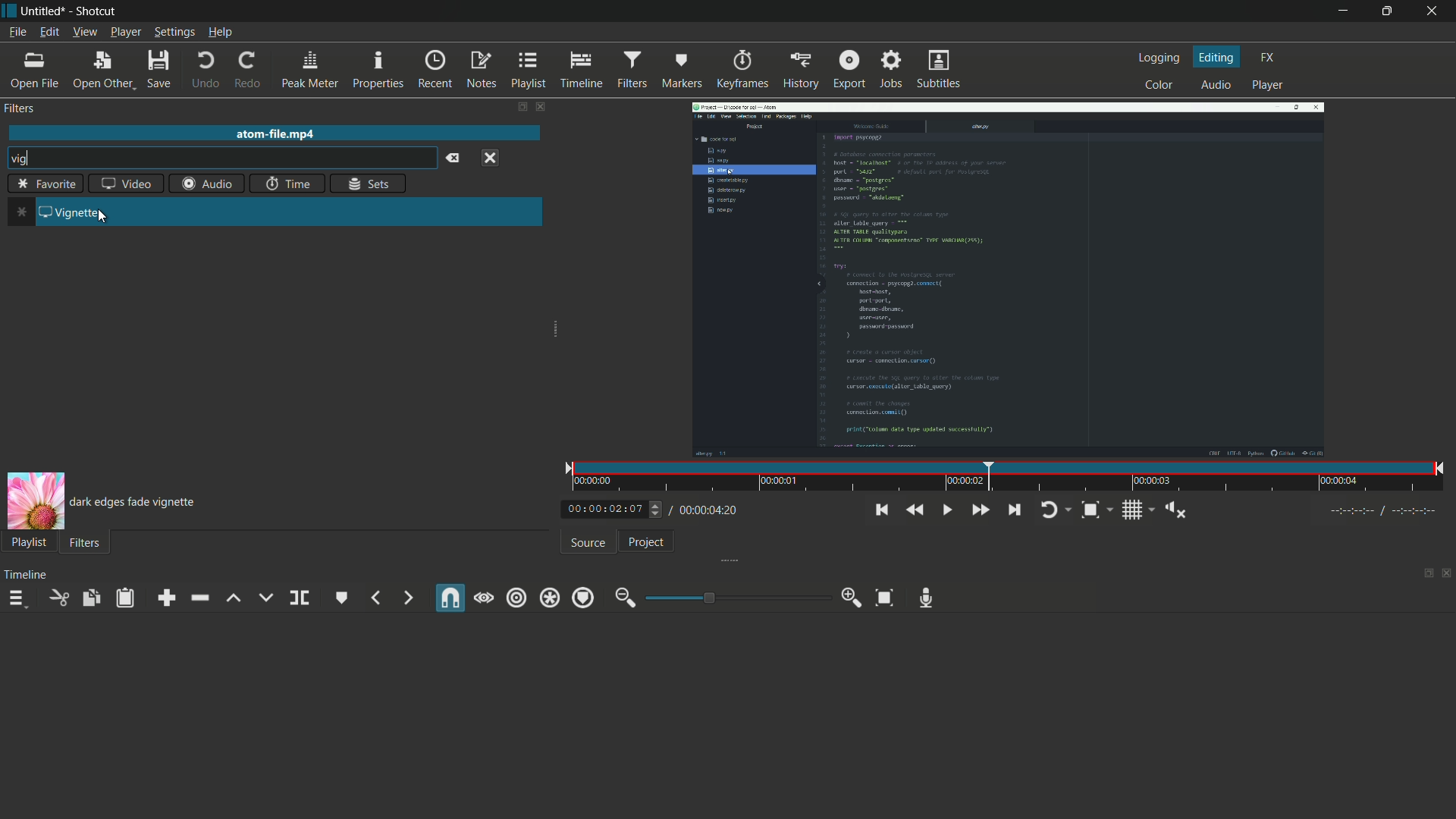  I want to click on edit menu, so click(49, 32).